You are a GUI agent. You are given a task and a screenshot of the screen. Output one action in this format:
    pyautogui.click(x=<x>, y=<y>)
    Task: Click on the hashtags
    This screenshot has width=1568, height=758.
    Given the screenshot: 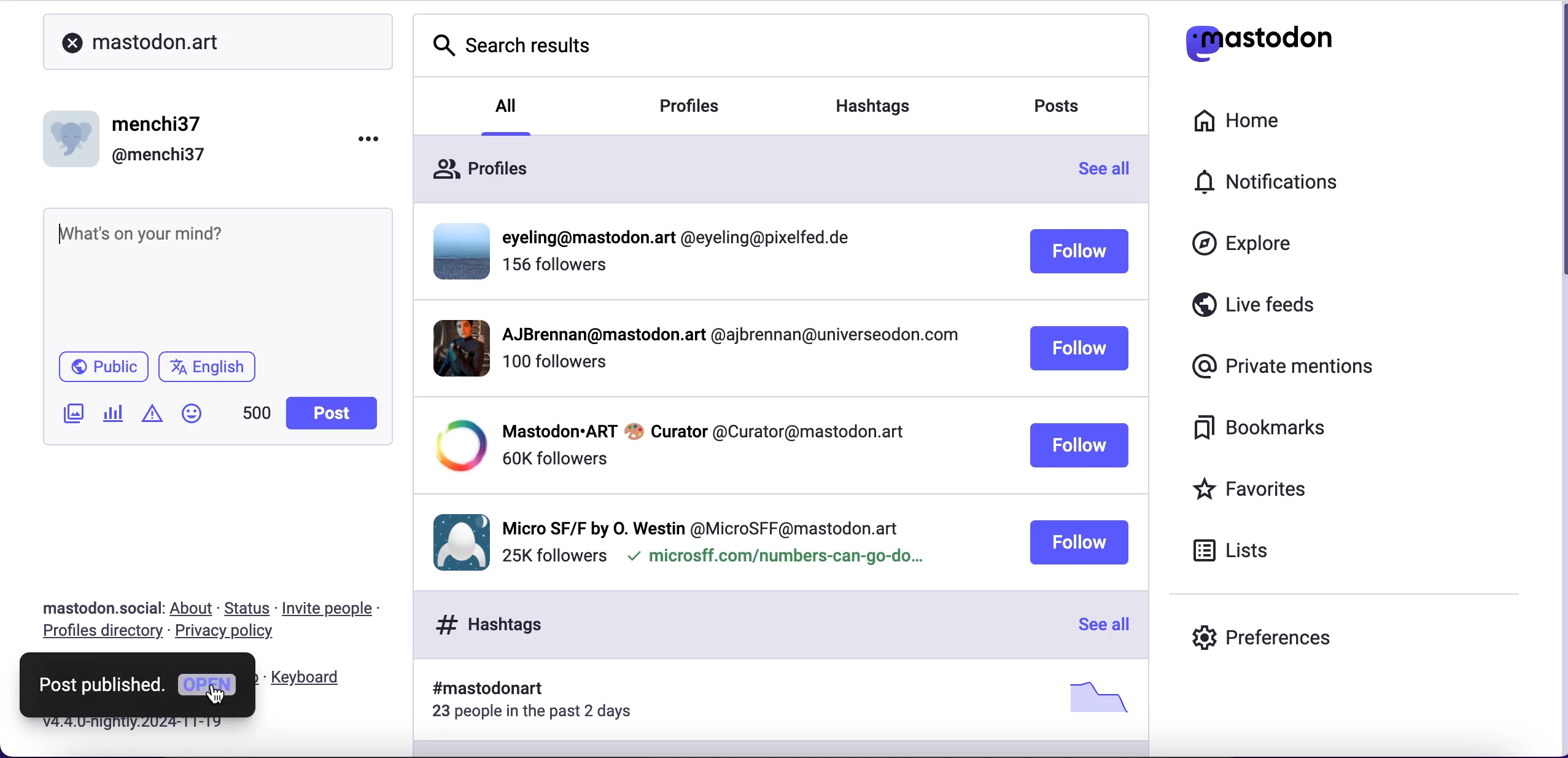 What is the action you would take?
    pyautogui.click(x=733, y=624)
    